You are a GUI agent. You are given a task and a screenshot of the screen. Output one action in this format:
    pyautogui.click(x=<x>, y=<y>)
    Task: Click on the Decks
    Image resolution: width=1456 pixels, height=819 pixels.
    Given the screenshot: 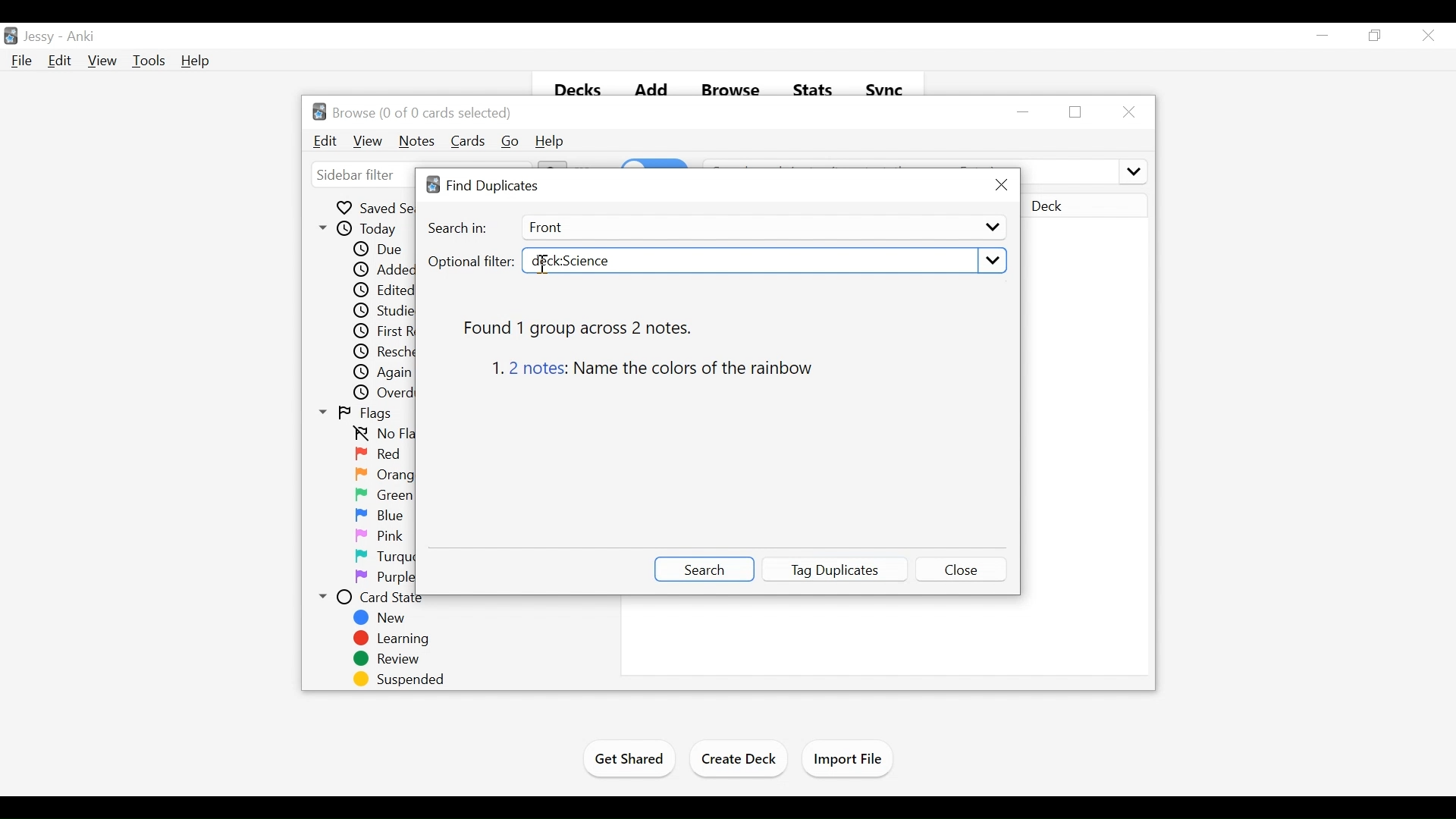 What is the action you would take?
    pyautogui.click(x=573, y=86)
    